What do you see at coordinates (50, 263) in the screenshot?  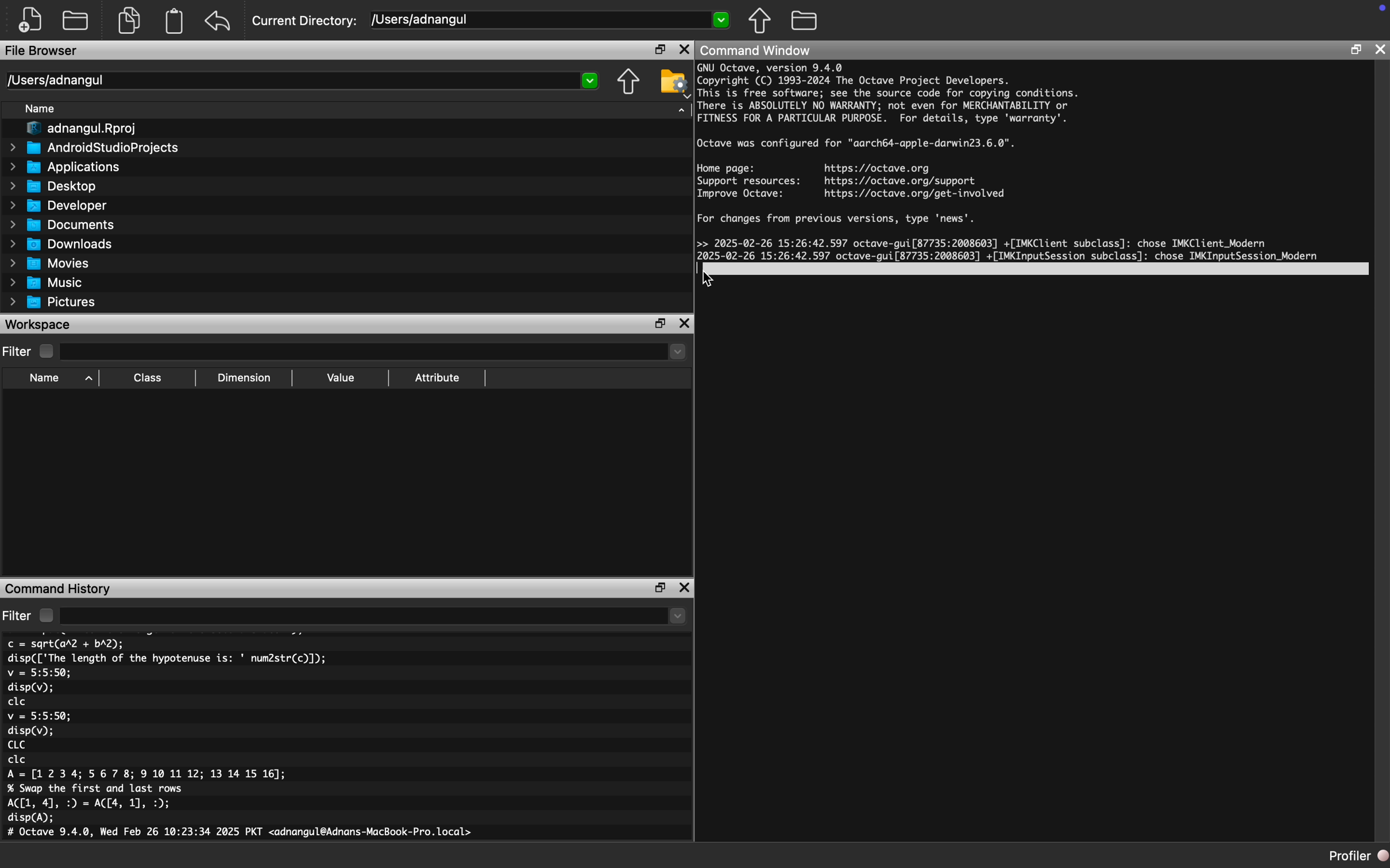 I see `Movies` at bounding box center [50, 263].